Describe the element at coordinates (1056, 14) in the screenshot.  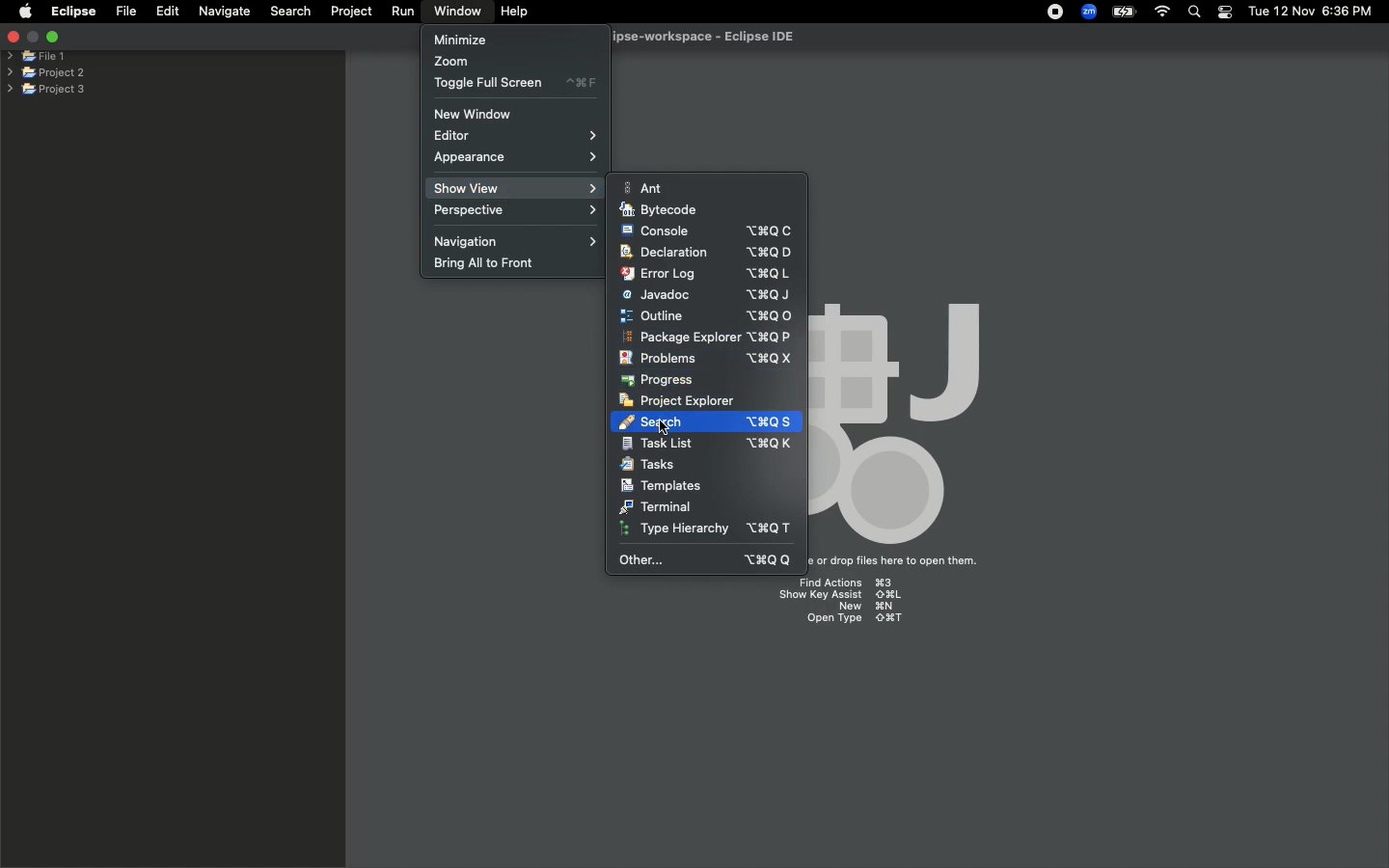
I see `Recording` at that location.